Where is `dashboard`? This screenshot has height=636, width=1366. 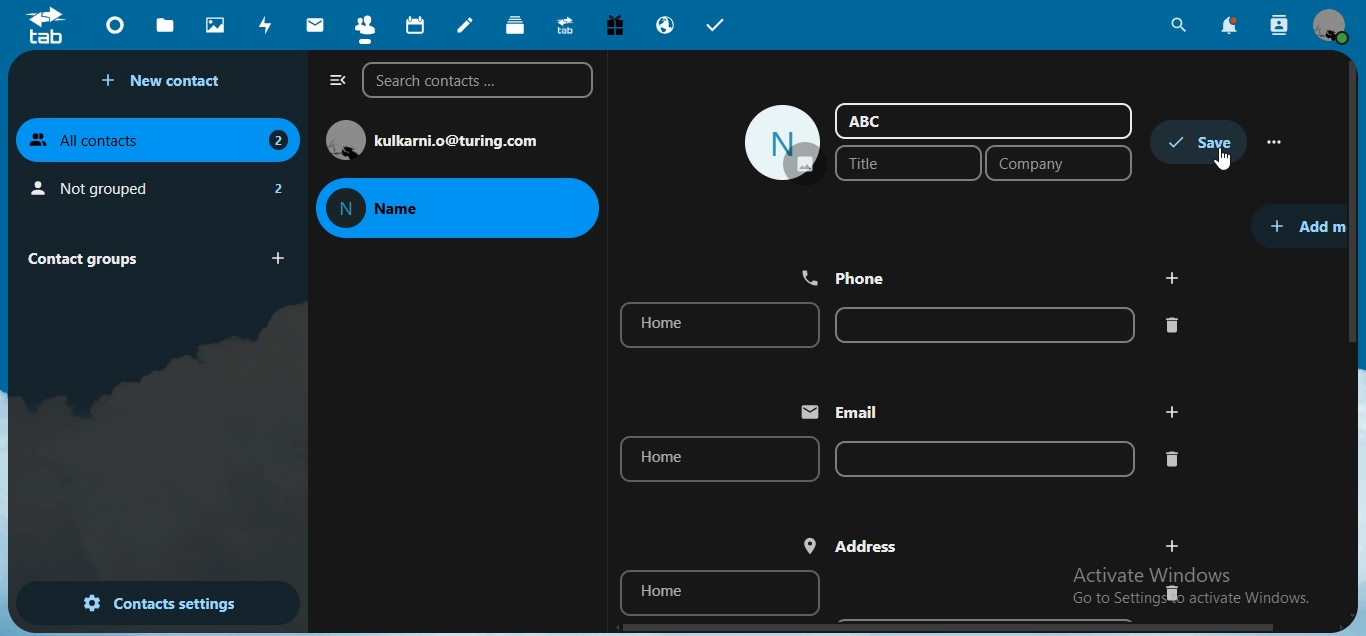
dashboard is located at coordinates (114, 24).